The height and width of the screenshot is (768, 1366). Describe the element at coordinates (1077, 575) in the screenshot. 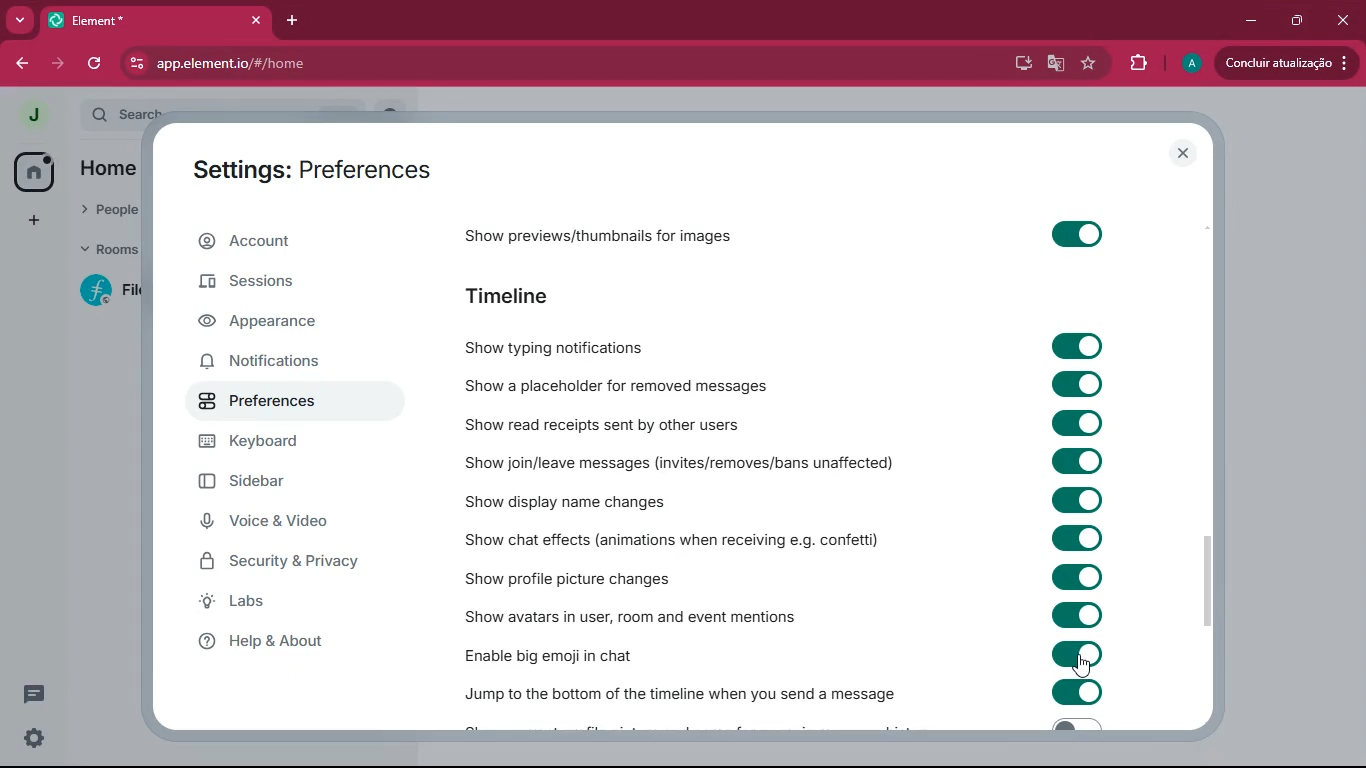

I see `toggle on ` at that location.